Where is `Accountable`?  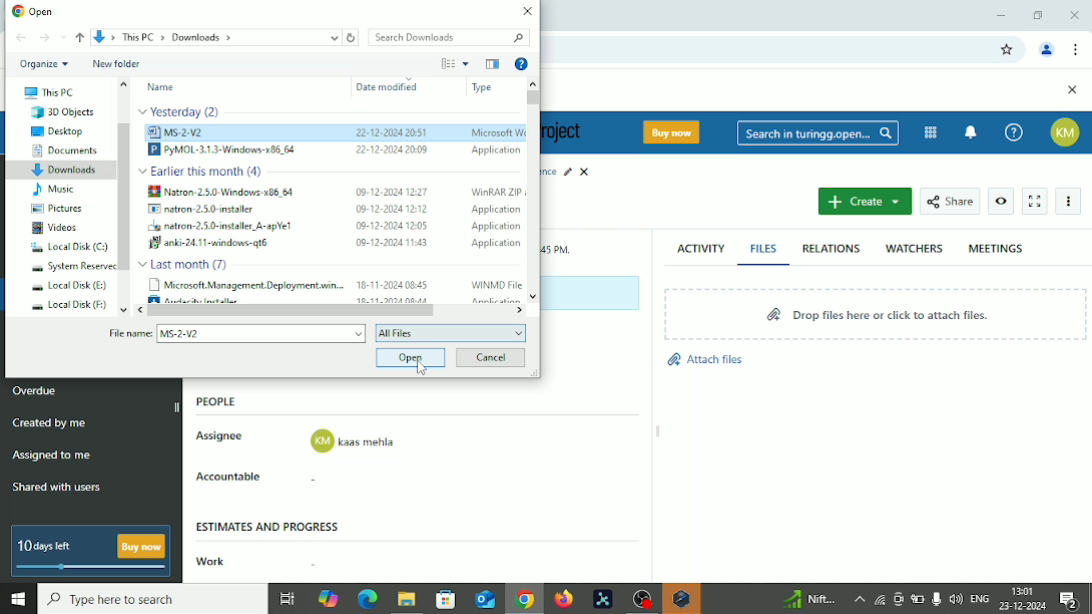 Accountable is located at coordinates (236, 477).